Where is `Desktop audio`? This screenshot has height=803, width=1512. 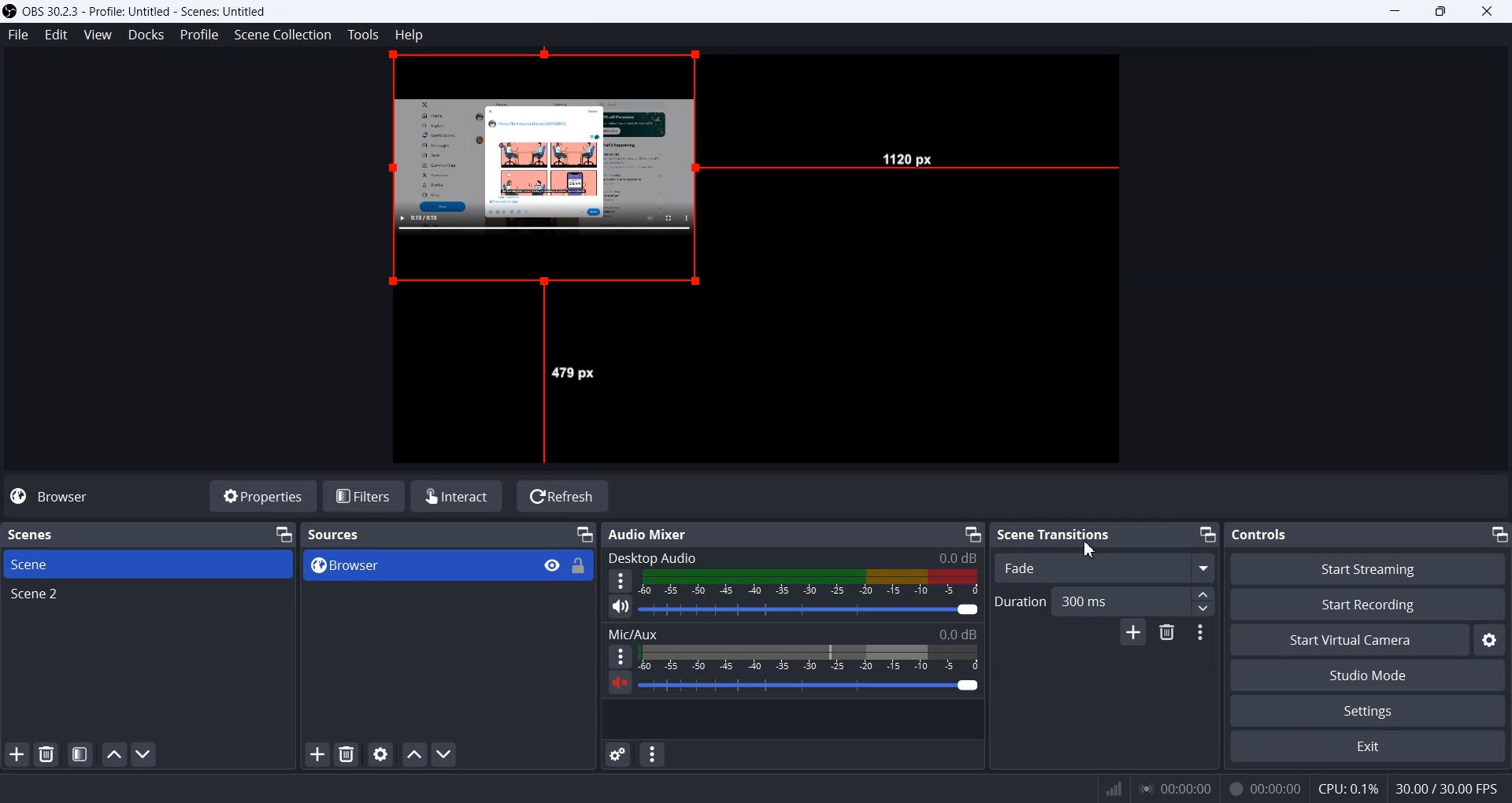 Desktop audio is located at coordinates (792, 555).